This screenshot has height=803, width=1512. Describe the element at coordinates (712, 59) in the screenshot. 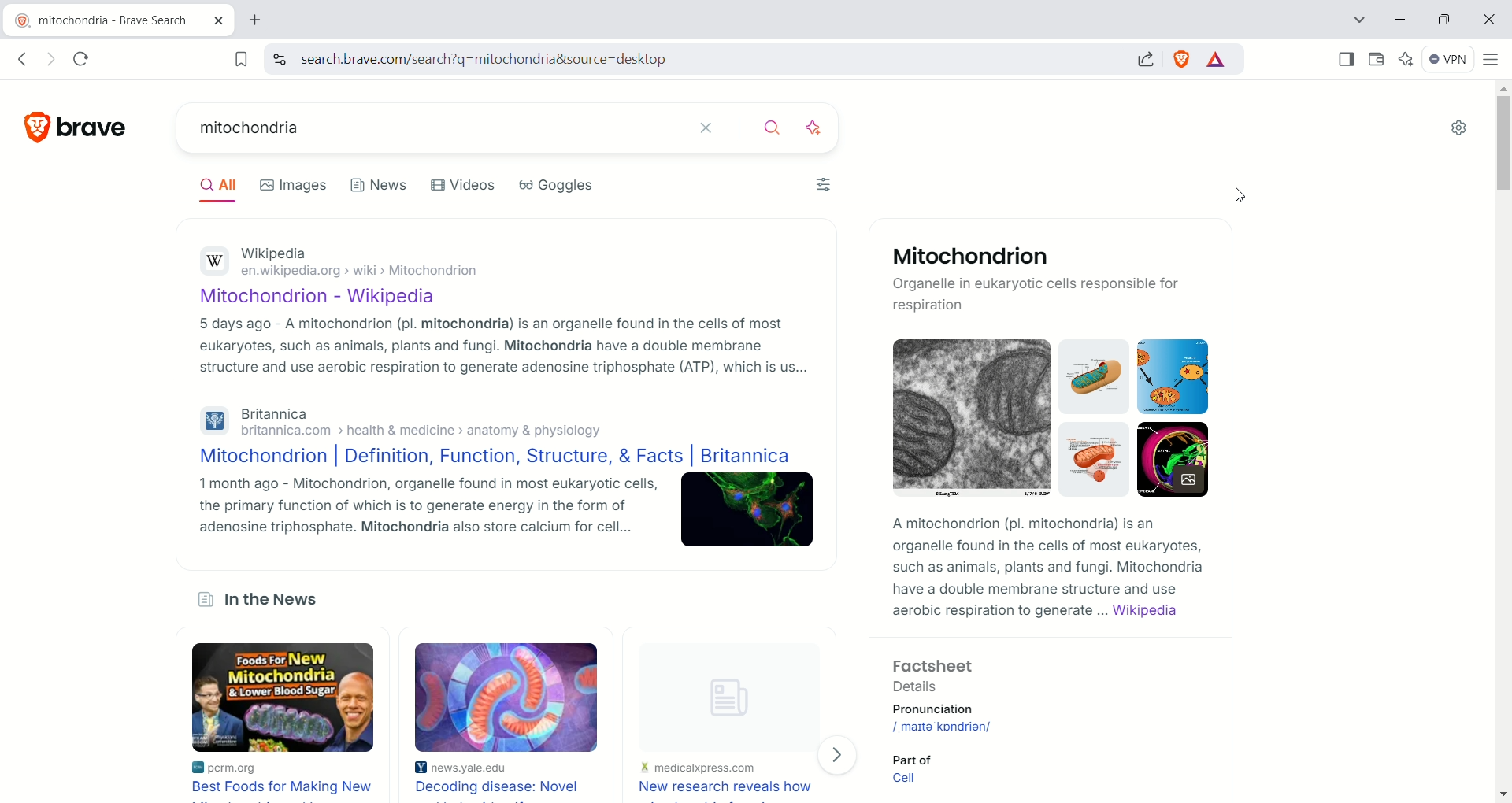

I see `search.brave.com/search?q=mitochondria&source=desktop` at that location.